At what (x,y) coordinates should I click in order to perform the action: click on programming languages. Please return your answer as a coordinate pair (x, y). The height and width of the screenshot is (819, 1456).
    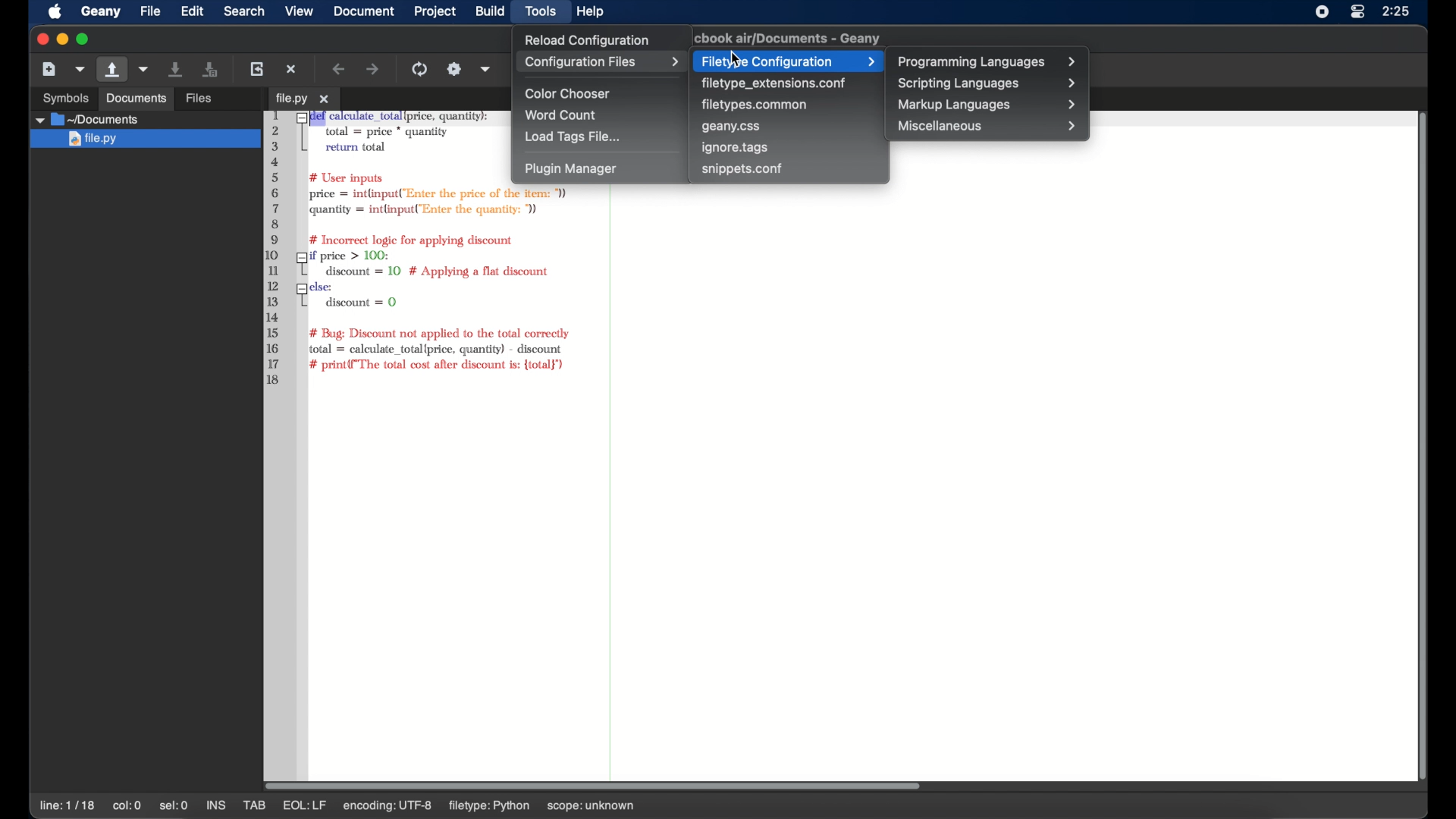
    Looking at the image, I should click on (988, 62).